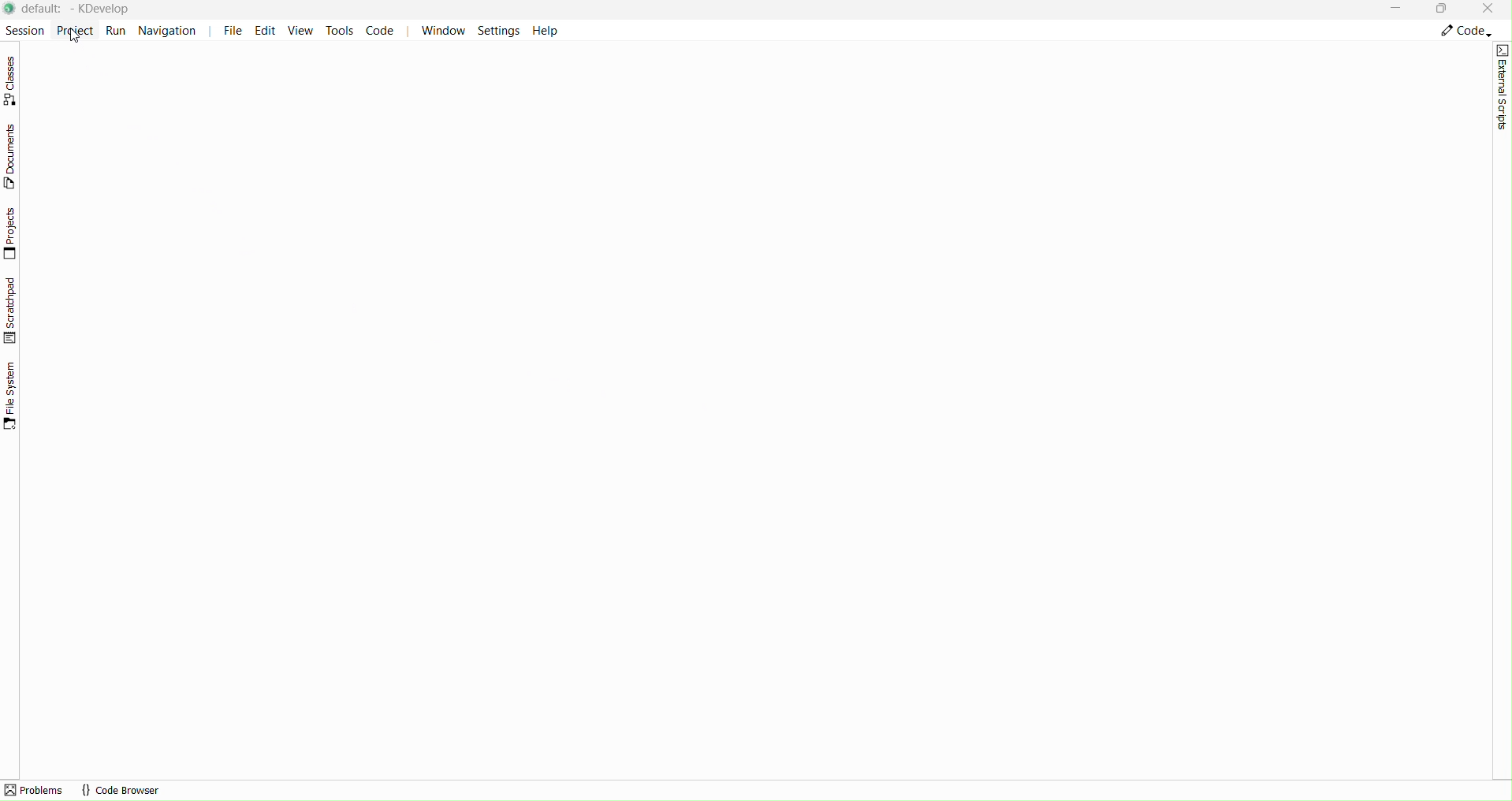  What do you see at coordinates (500, 30) in the screenshot?
I see `Settings` at bounding box center [500, 30].